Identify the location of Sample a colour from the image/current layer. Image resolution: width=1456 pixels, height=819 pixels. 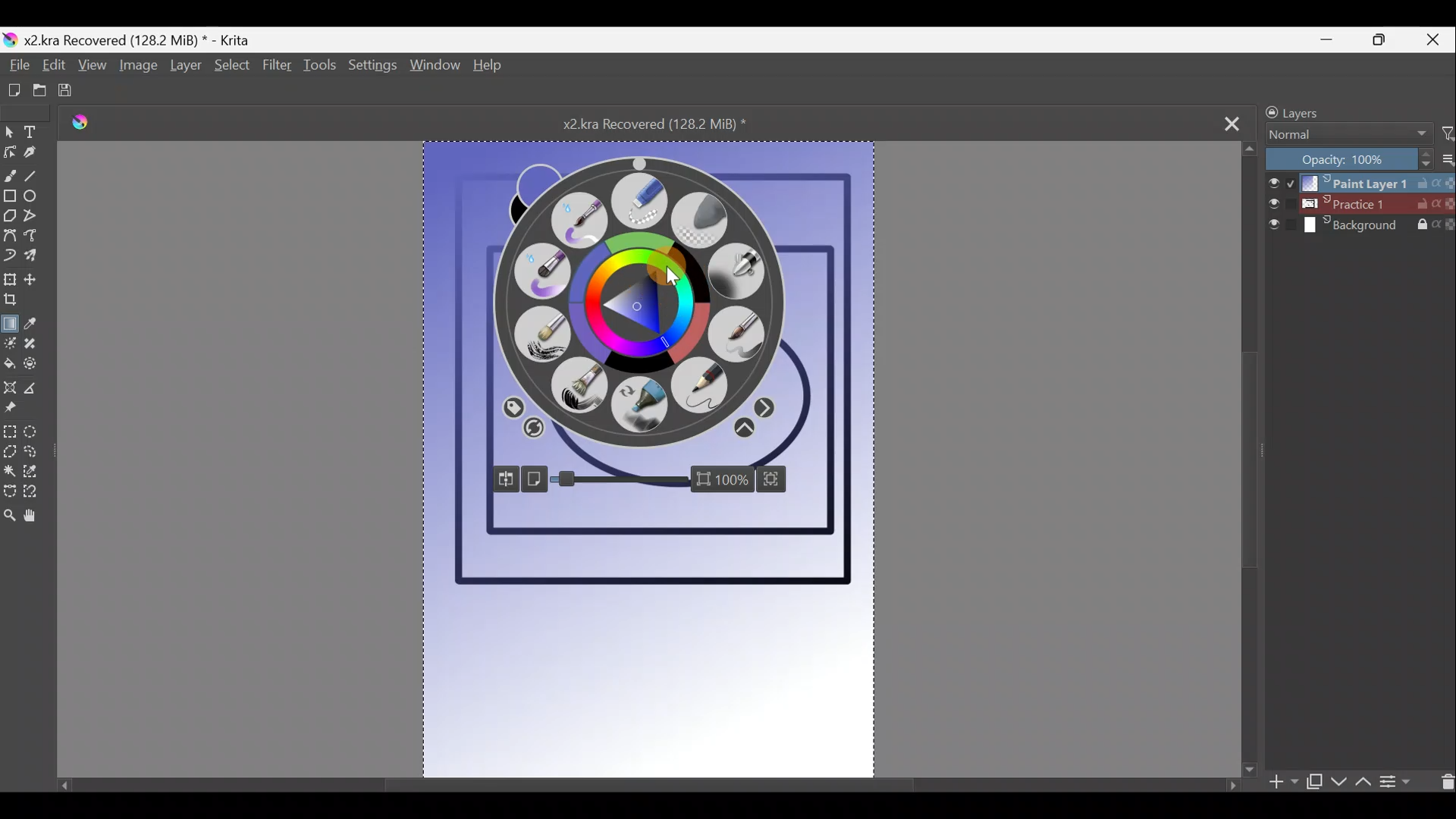
(34, 324).